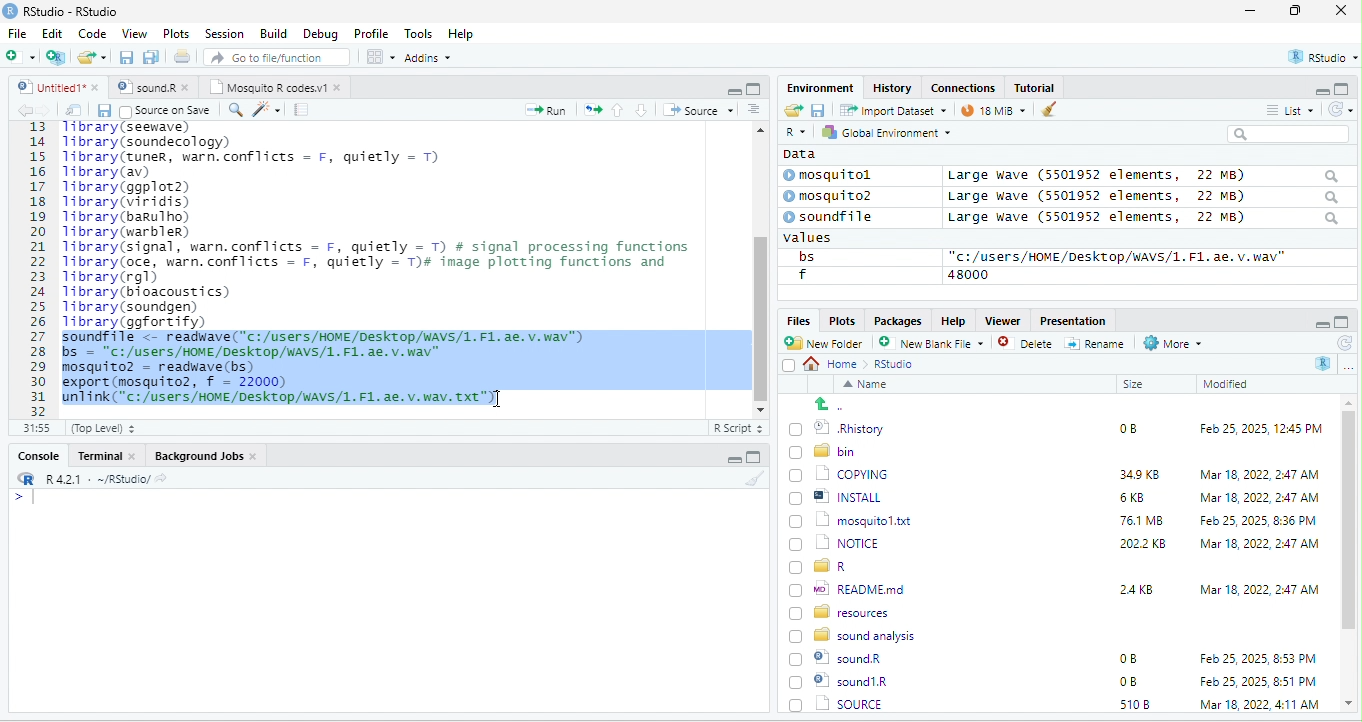 Image resolution: width=1362 pixels, height=722 pixels. Describe the element at coordinates (834, 194) in the screenshot. I see `© mosquito?` at that location.